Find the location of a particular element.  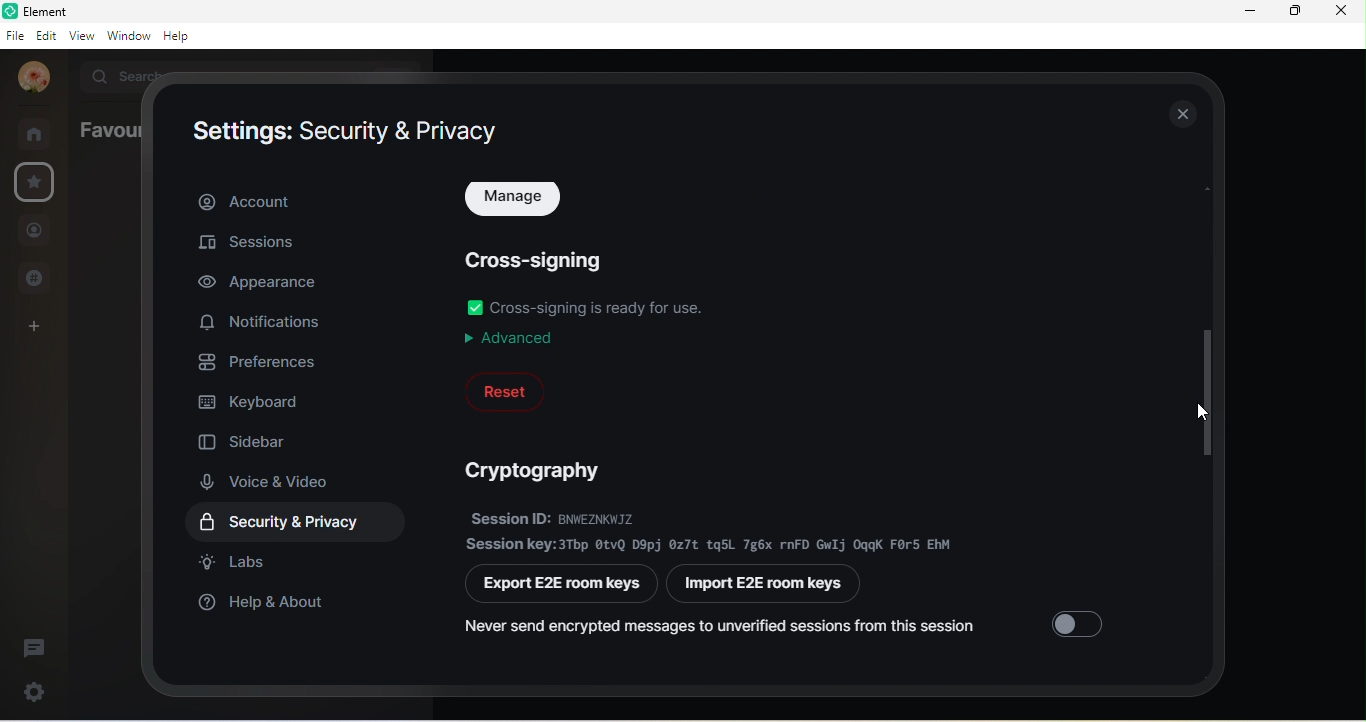

help is located at coordinates (181, 36).